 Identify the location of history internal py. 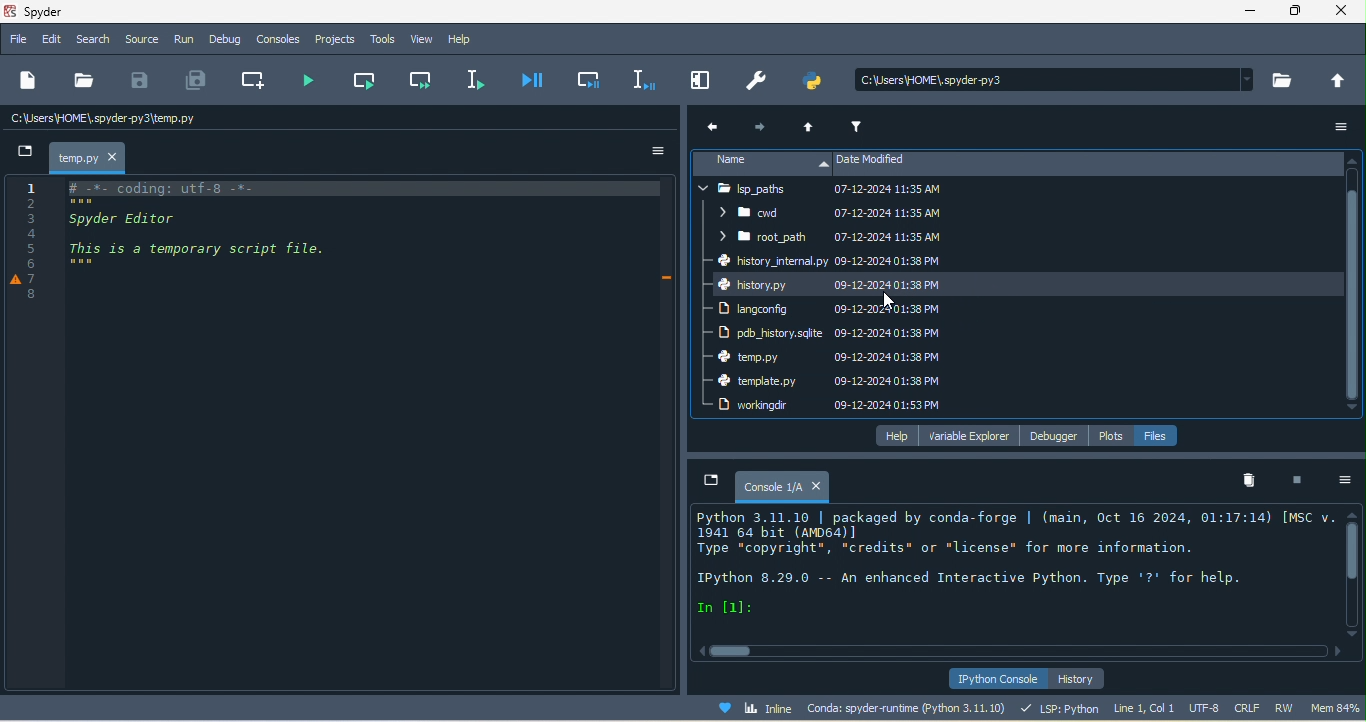
(765, 261).